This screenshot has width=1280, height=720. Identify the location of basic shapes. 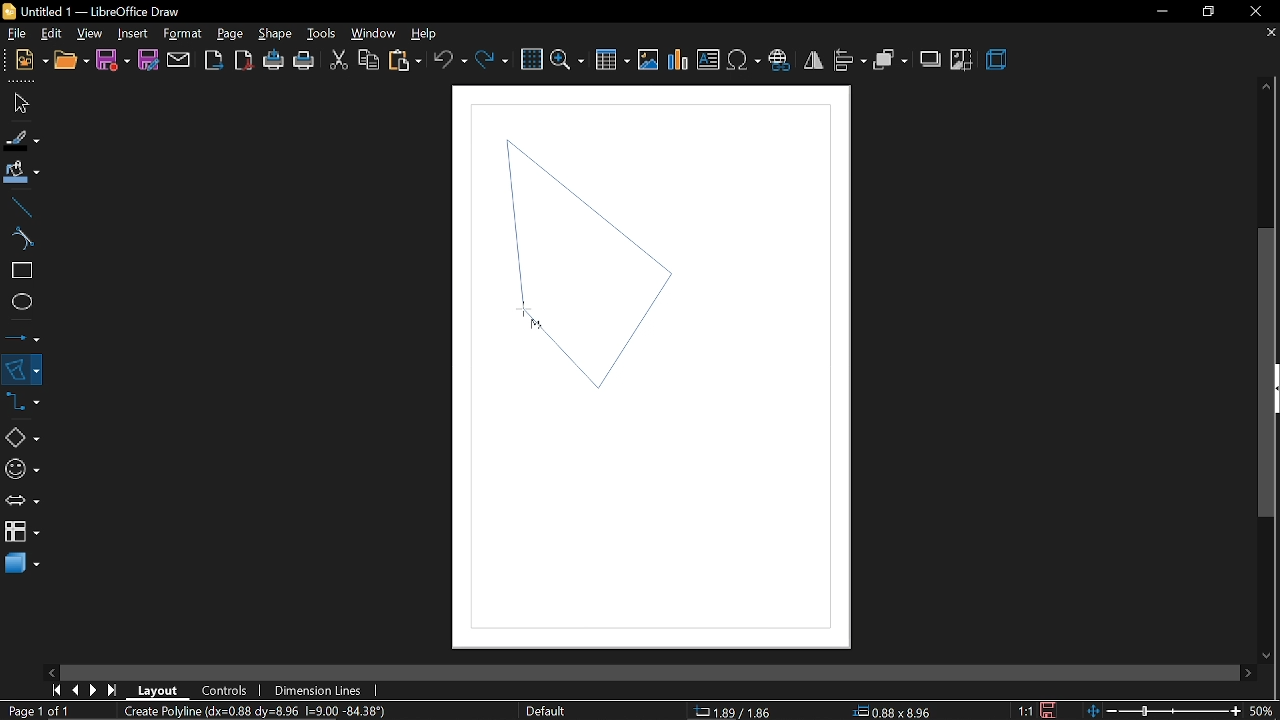
(21, 439).